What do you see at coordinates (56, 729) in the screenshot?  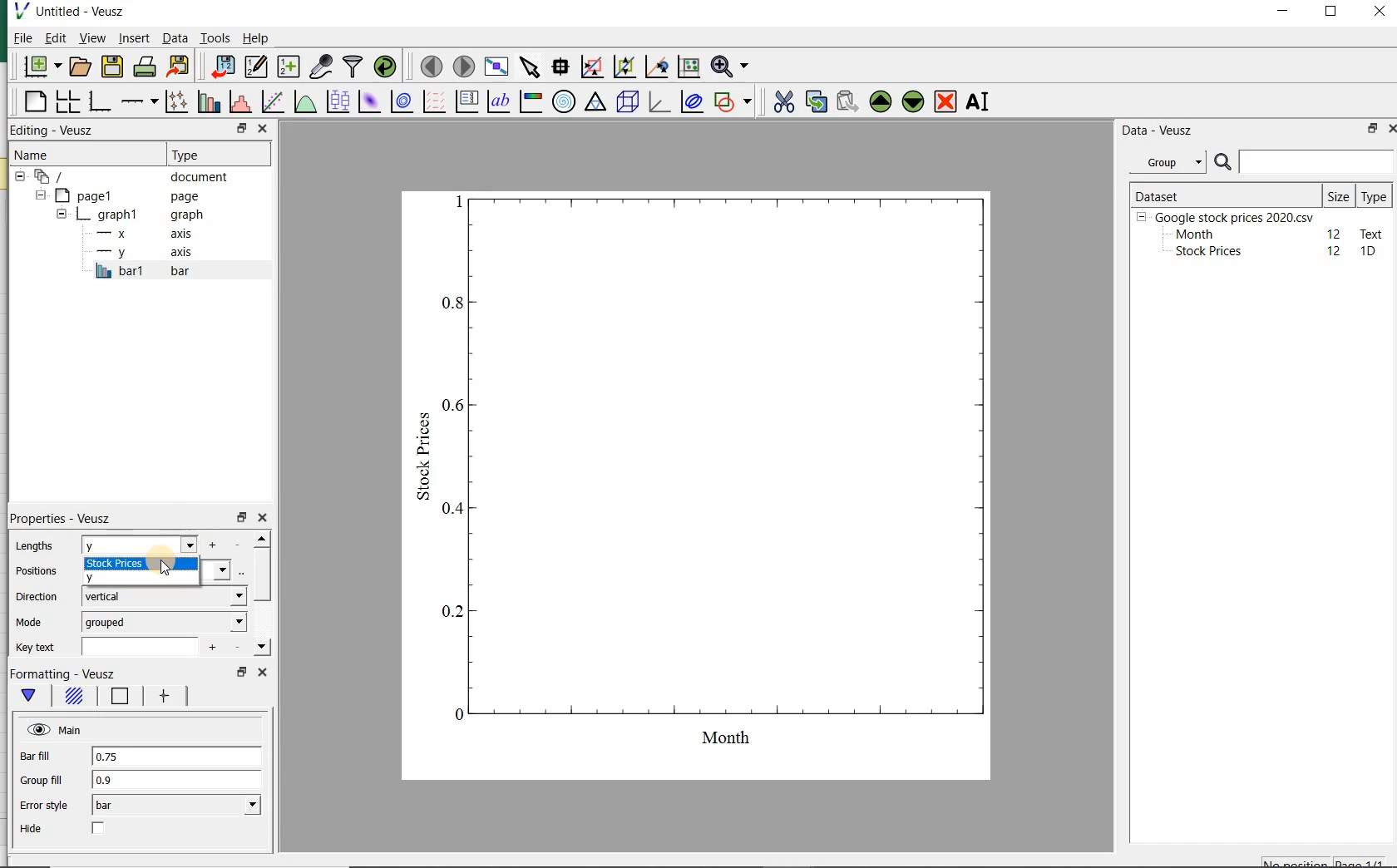 I see `Main` at bounding box center [56, 729].